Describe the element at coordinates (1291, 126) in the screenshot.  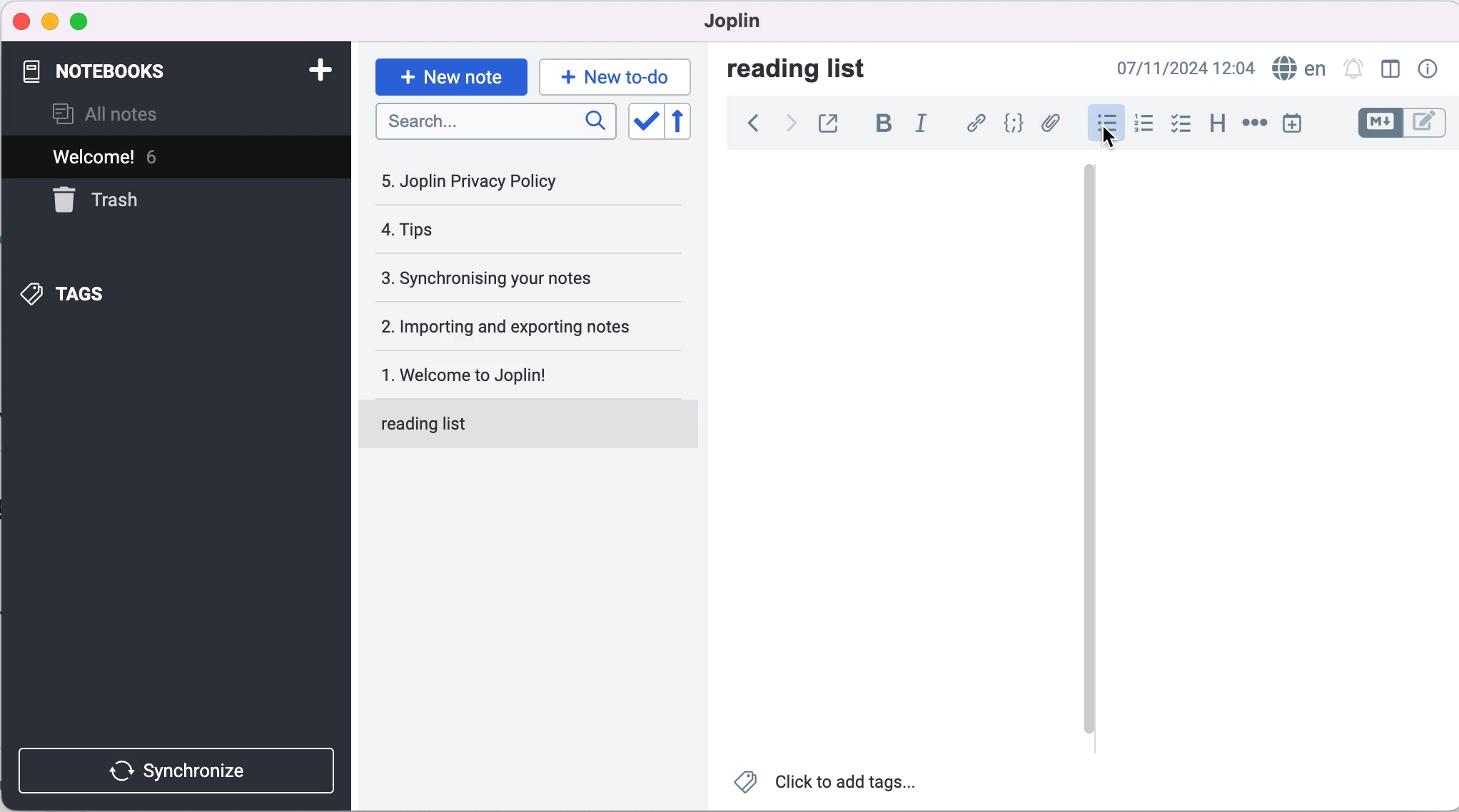
I see `insert time` at that location.